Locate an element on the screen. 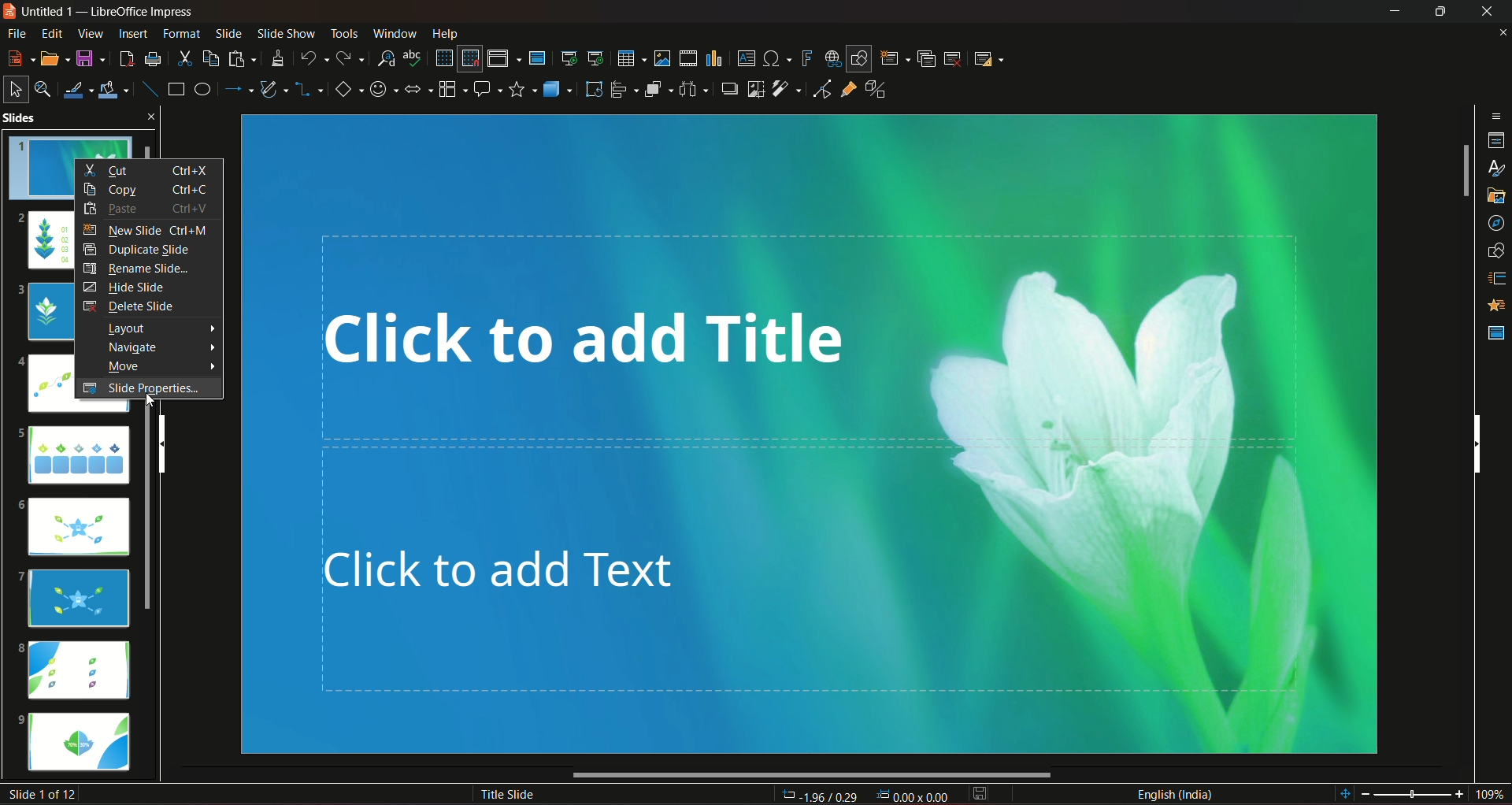  slideshow is located at coordinates (284, 32).